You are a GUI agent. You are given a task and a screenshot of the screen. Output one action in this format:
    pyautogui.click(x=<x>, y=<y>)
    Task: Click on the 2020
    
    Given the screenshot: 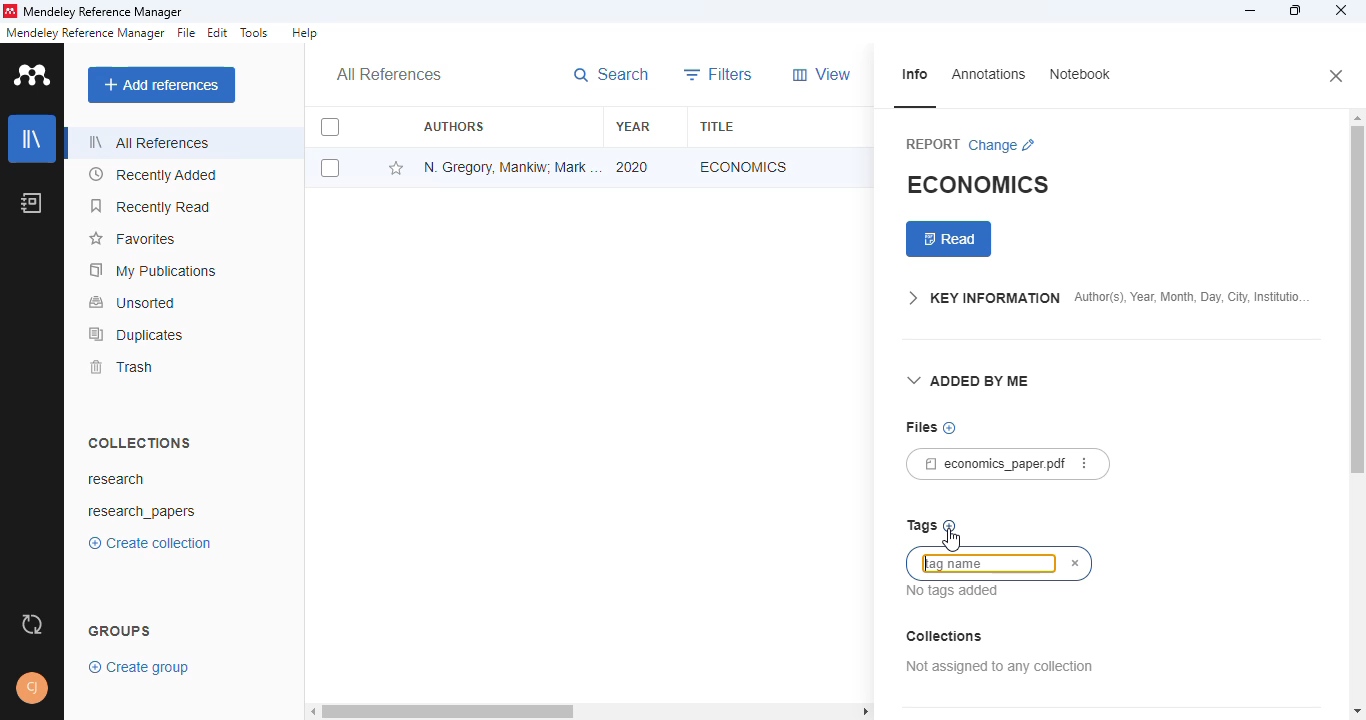 What is the action you would take?
    pyautogui.click(x=633, y=166)
    